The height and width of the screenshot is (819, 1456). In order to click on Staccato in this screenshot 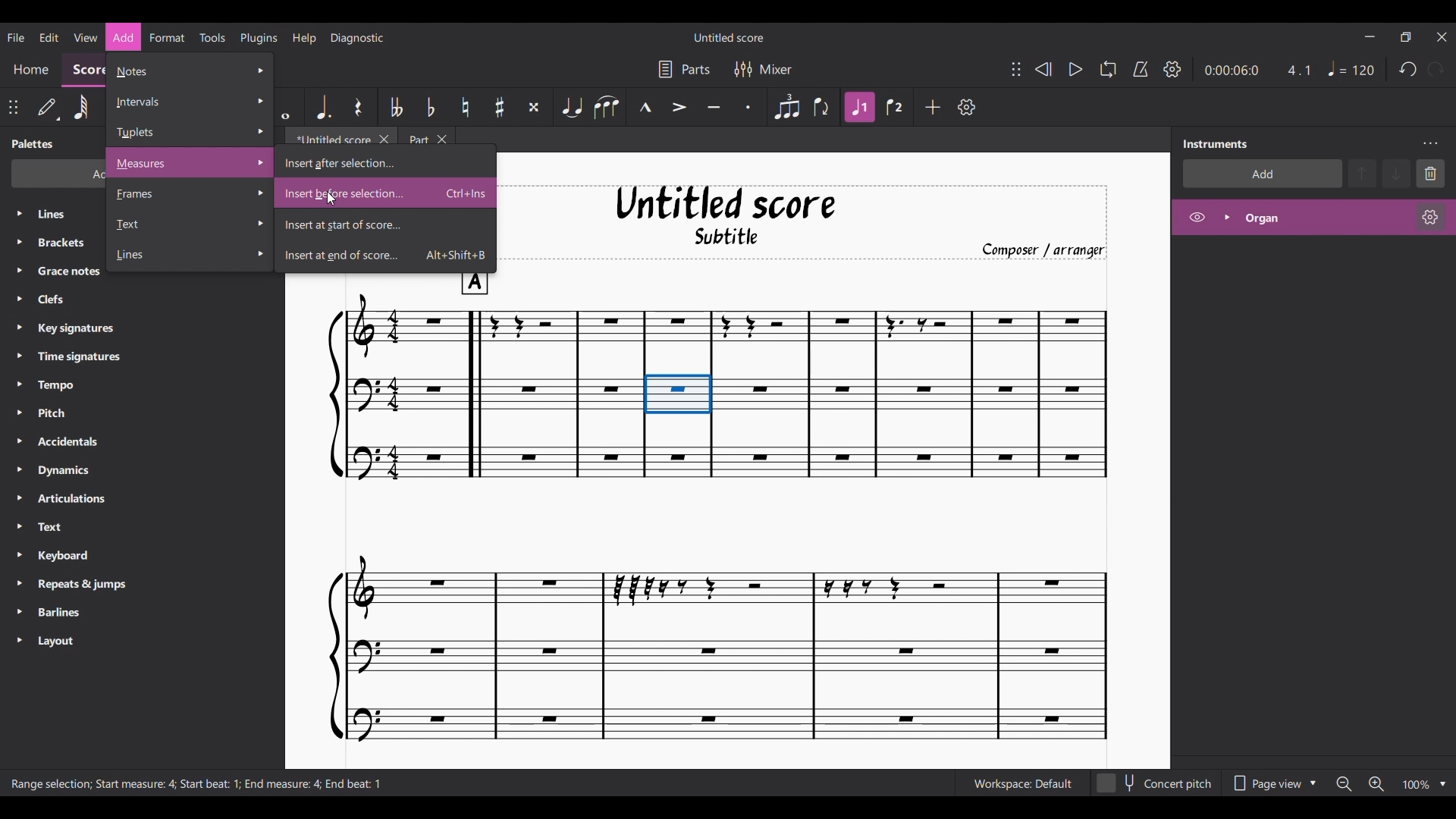, I will do `click(748, 108)`.